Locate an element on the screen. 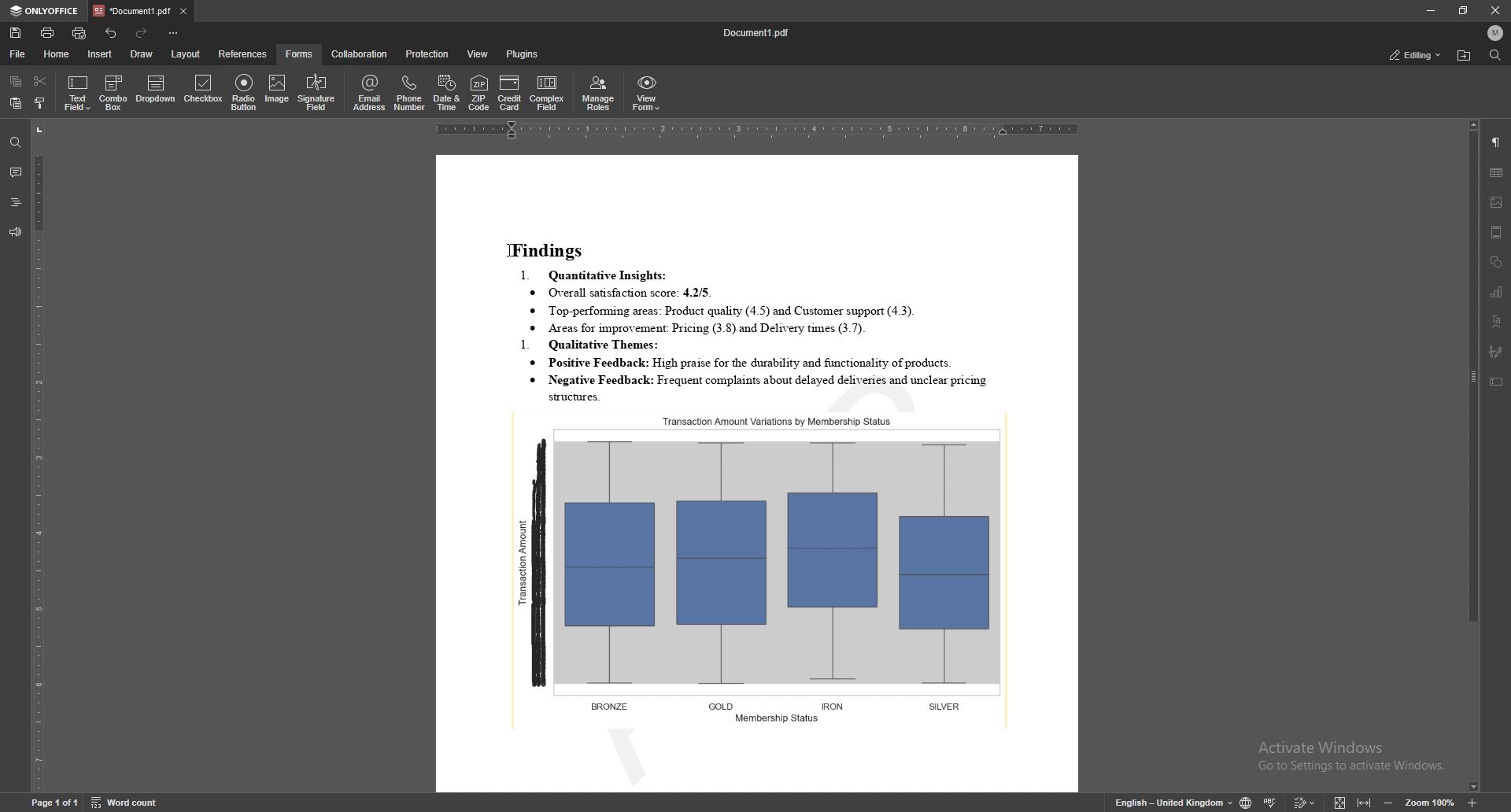  locate file is located at coordinates (1464, 57).